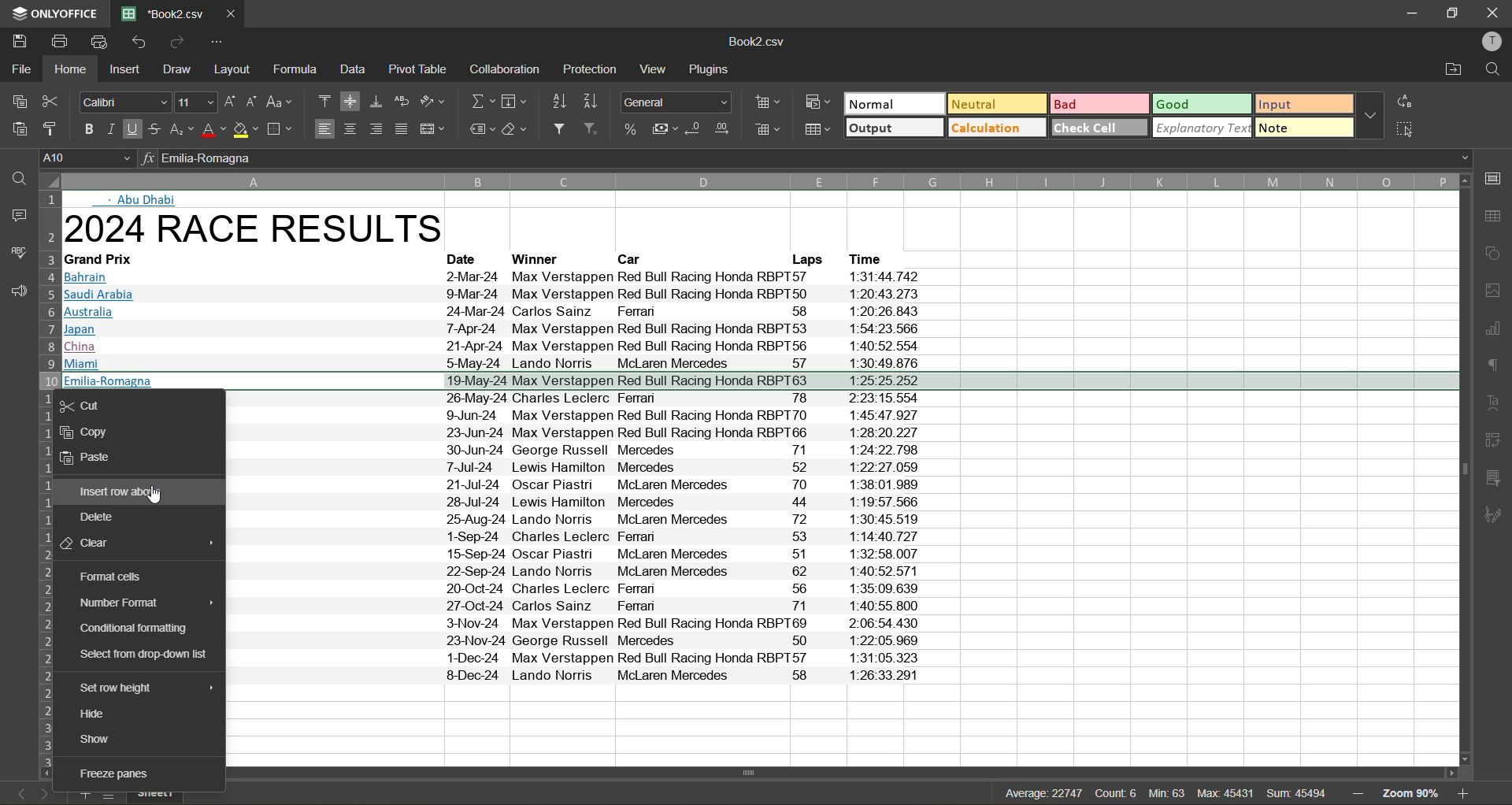 The height and width of the screenshot is (805, 1512). Describe the element at coordinates (1410, 793) in the screenshot. I see `zoom factor` at that location.